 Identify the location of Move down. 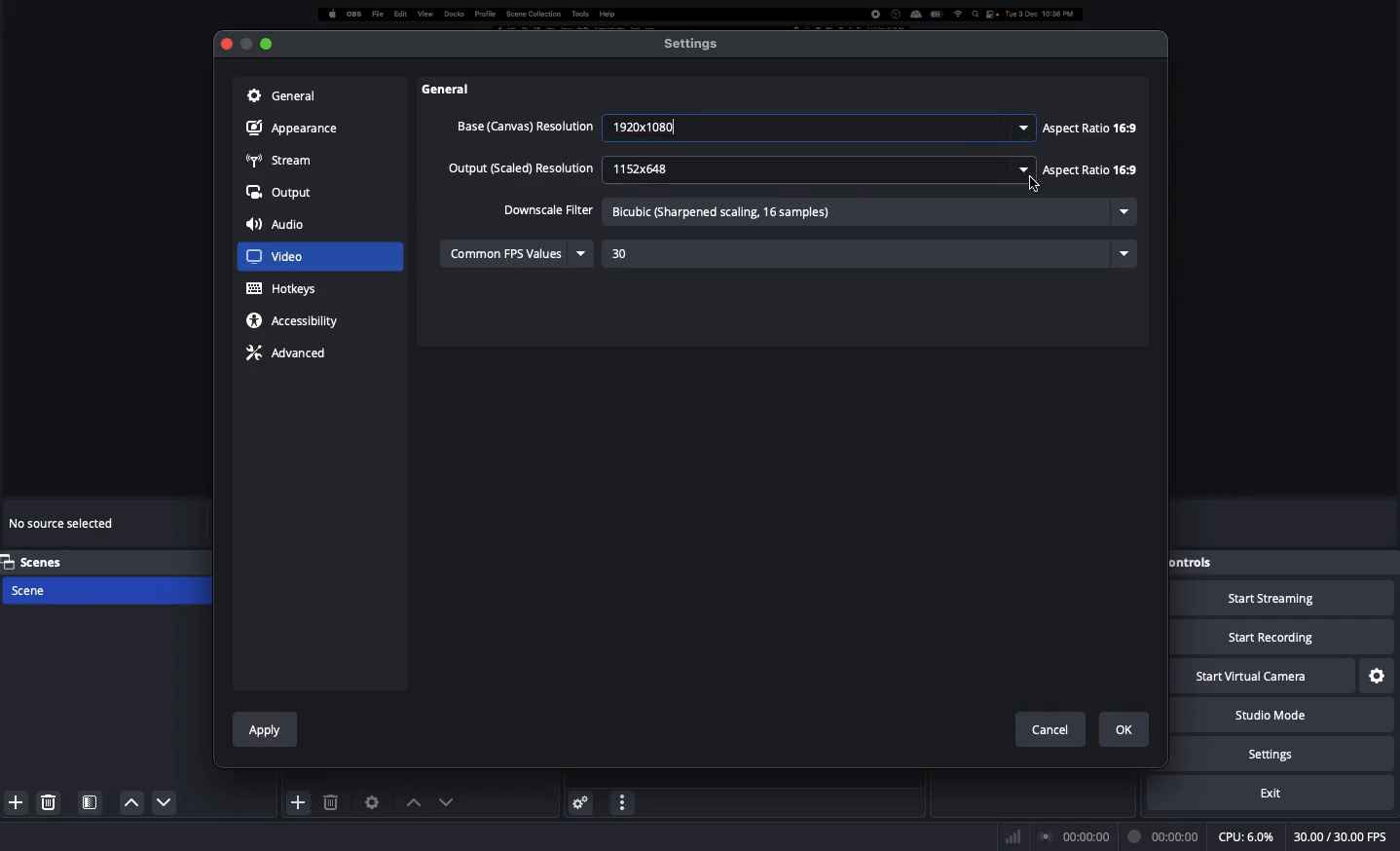
(444, 801).